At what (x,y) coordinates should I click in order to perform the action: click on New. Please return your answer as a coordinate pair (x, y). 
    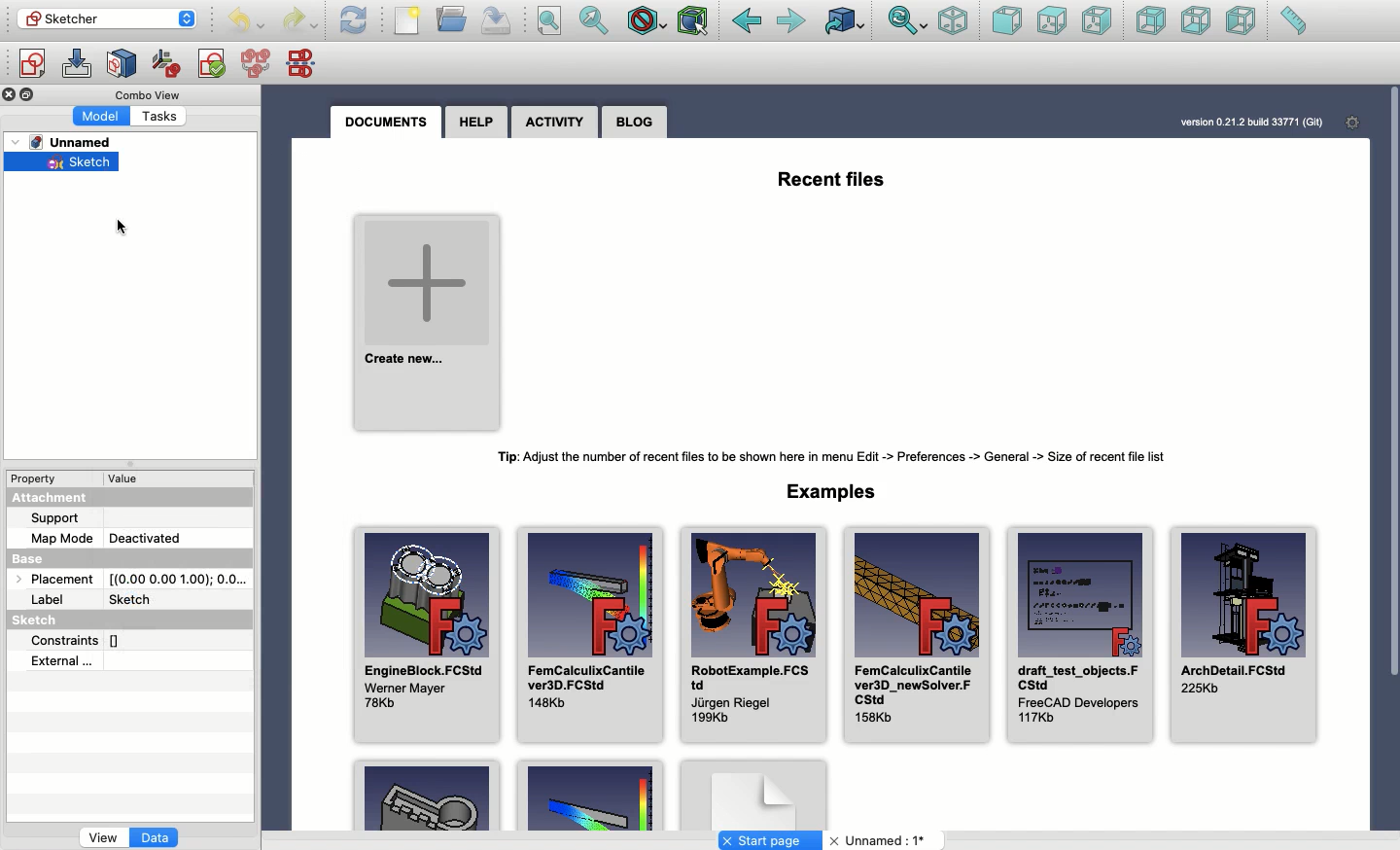
    Looking at the image, I should click on (407, 20).